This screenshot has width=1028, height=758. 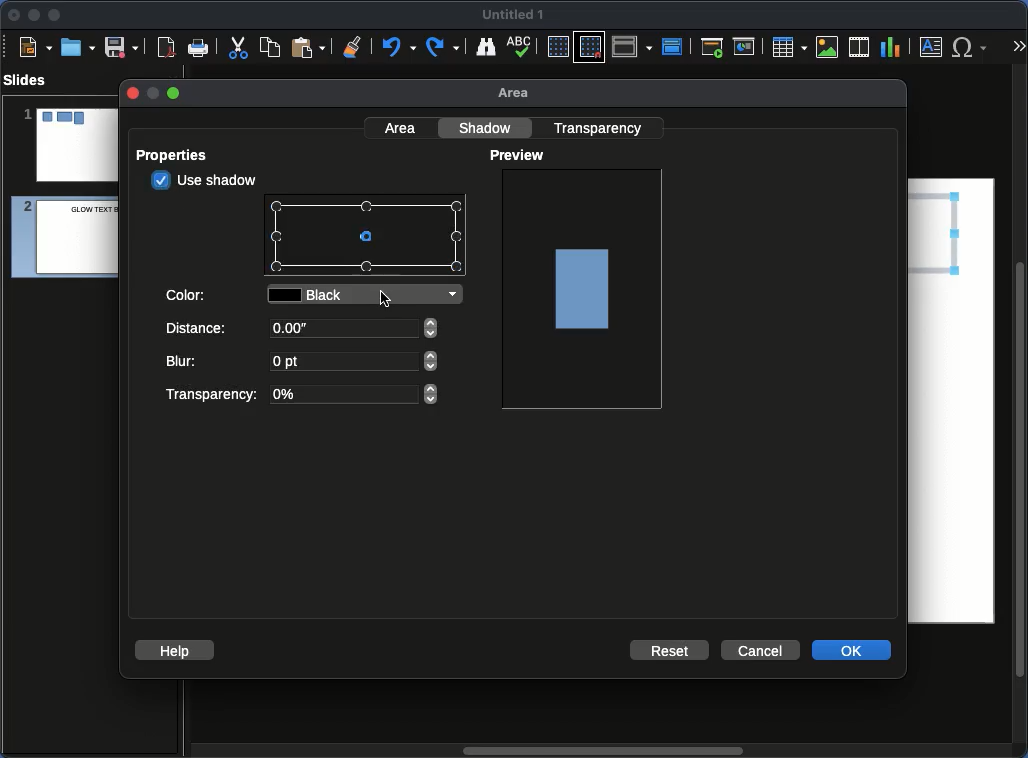 I want to click on Paste, so click(x=308, y=46).